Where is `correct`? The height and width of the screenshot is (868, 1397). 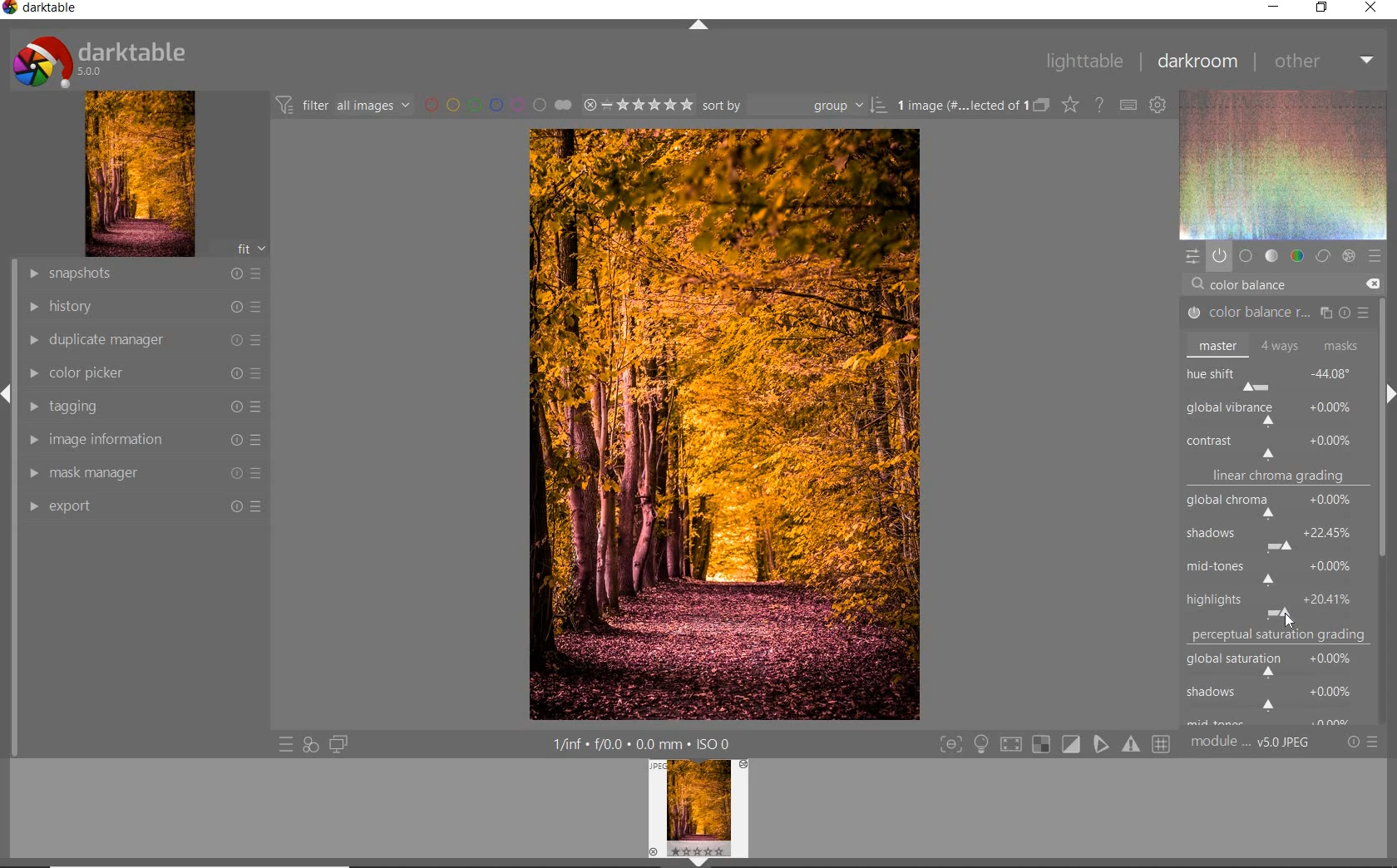 correct is located at coordinates (1322, 257).